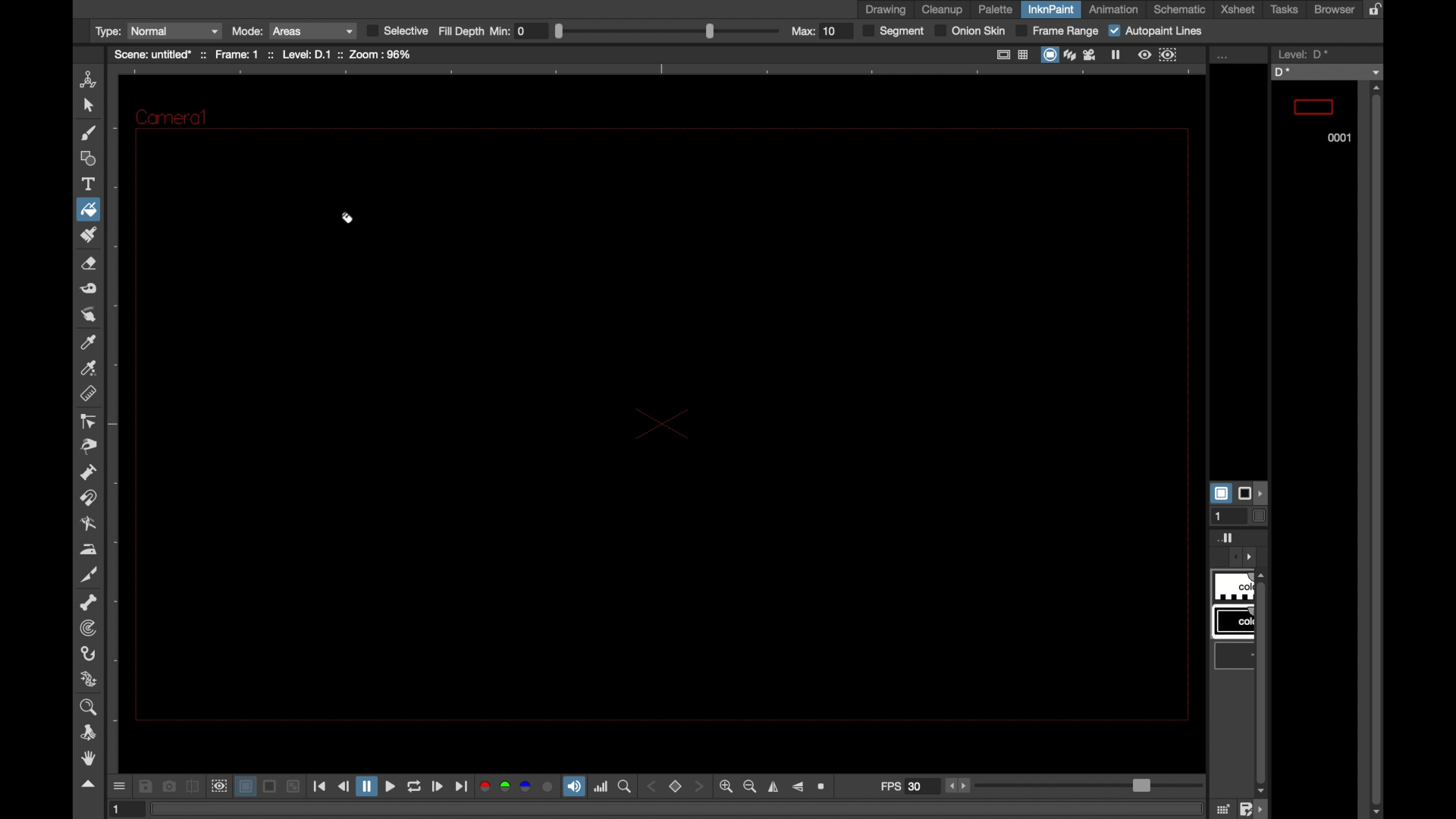 This screenshot has width=1456, height=819. I want to click on plastic tool, so click(89, 679).